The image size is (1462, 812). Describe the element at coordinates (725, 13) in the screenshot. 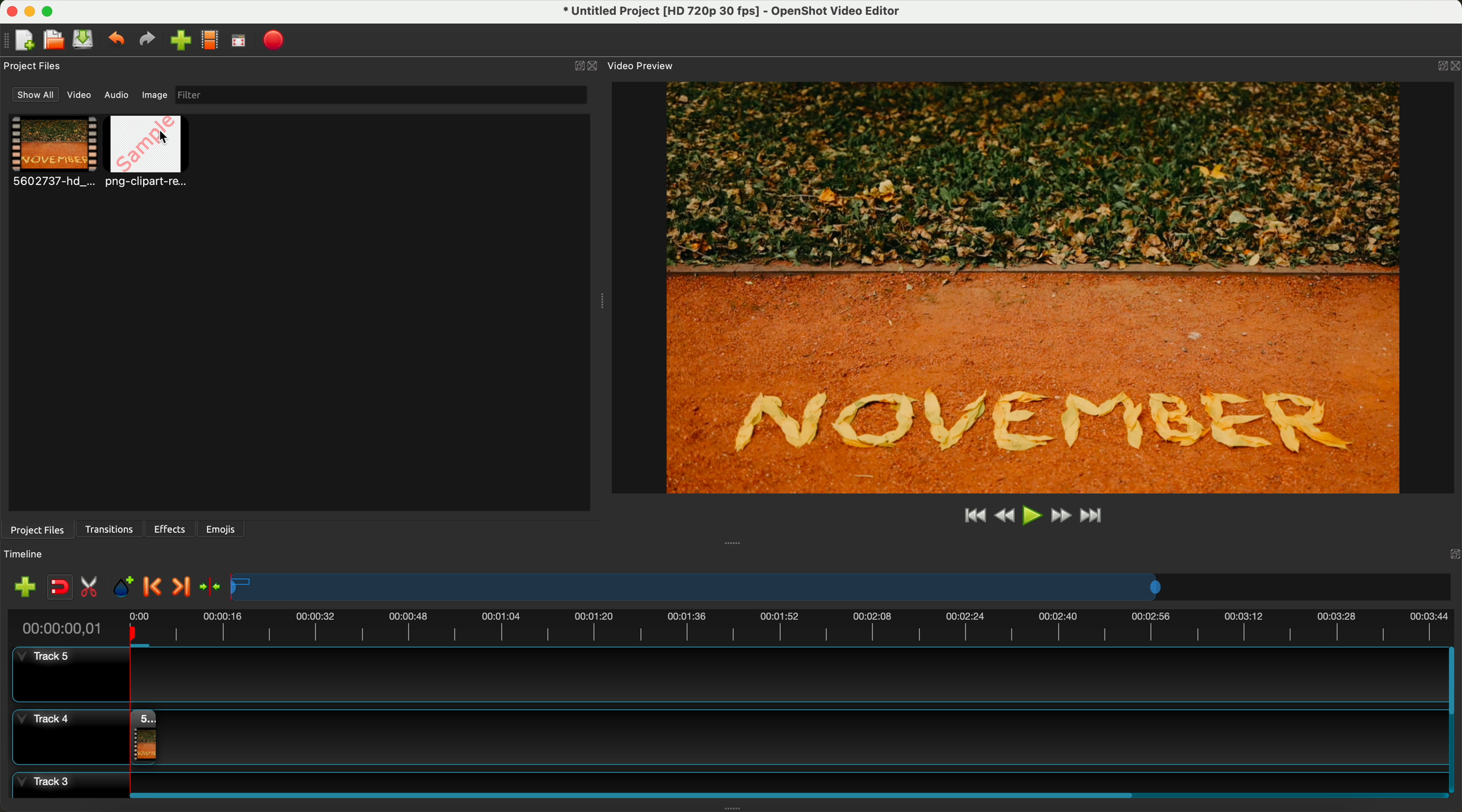

I see `file name` at that location.